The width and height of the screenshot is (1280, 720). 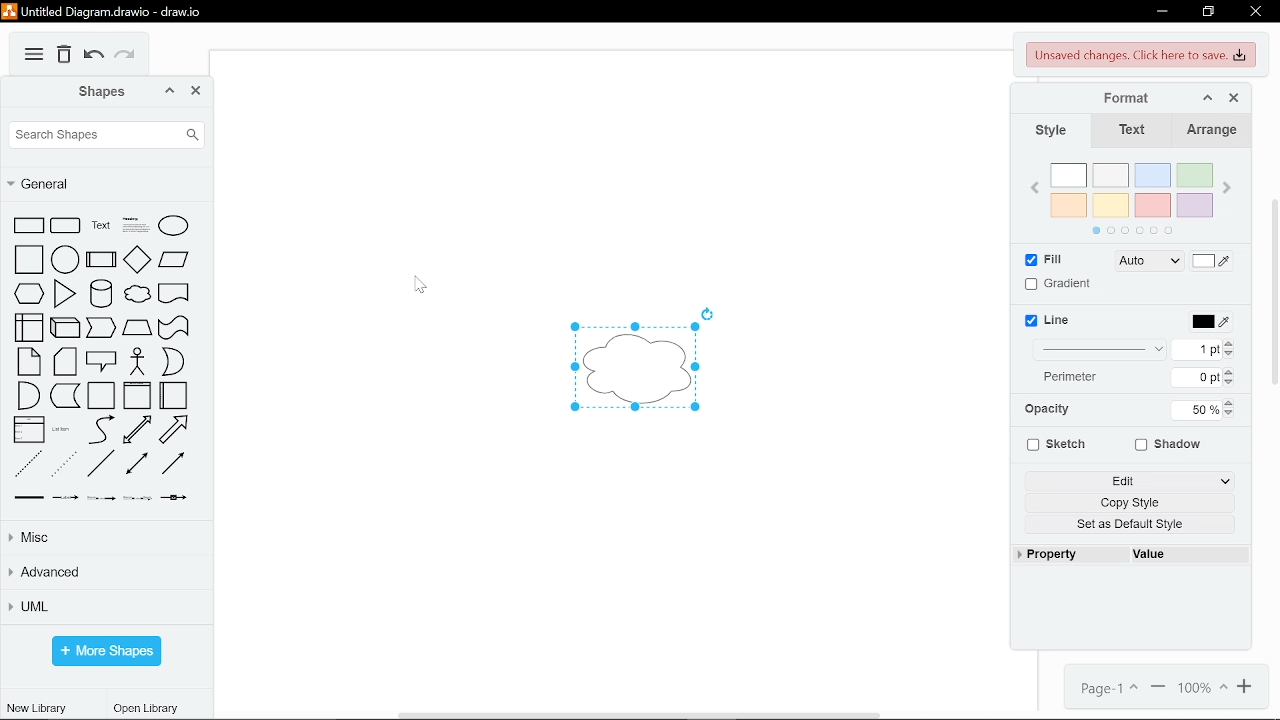 I want to click on diamond, so click(x=138, y=261).